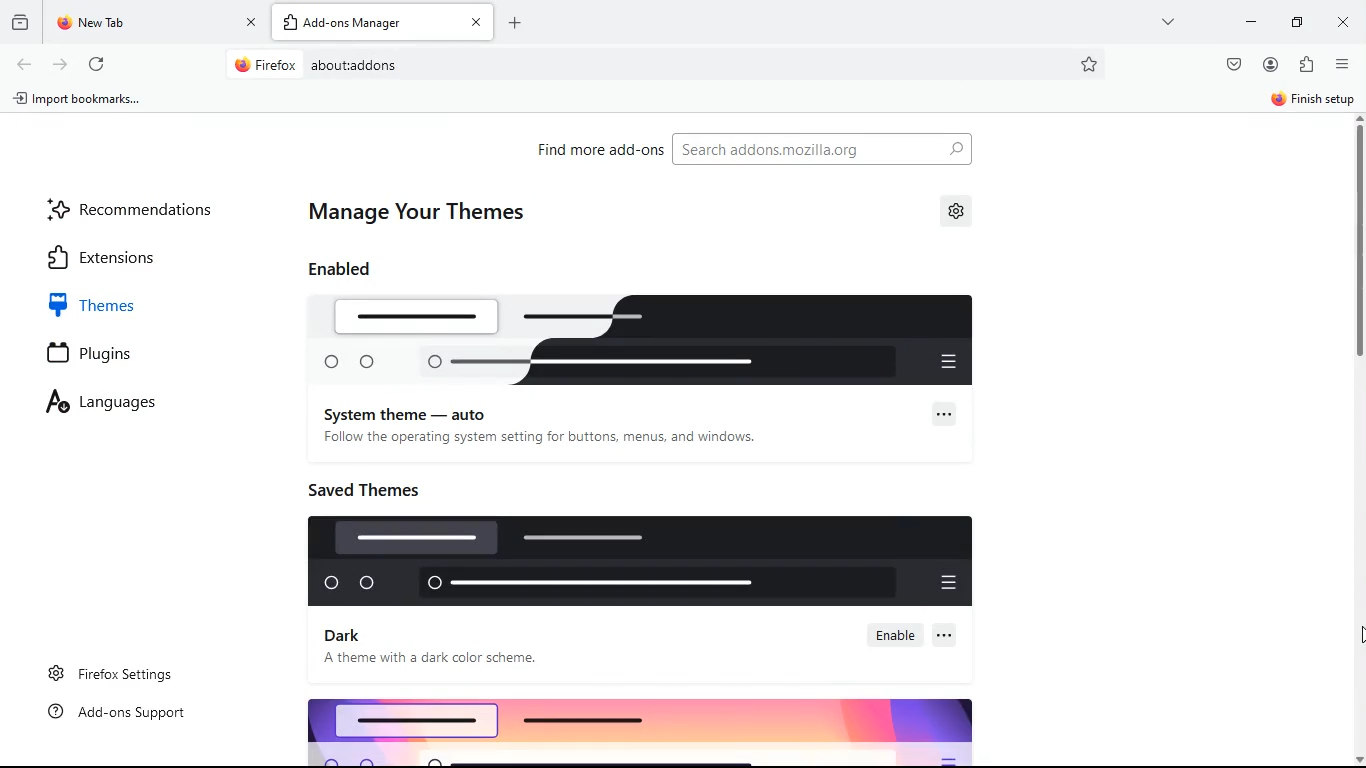 The image size is (1366, 768). Describe the element at coordinates (125, 256) in the screenshot. I see `extensions` at that location.